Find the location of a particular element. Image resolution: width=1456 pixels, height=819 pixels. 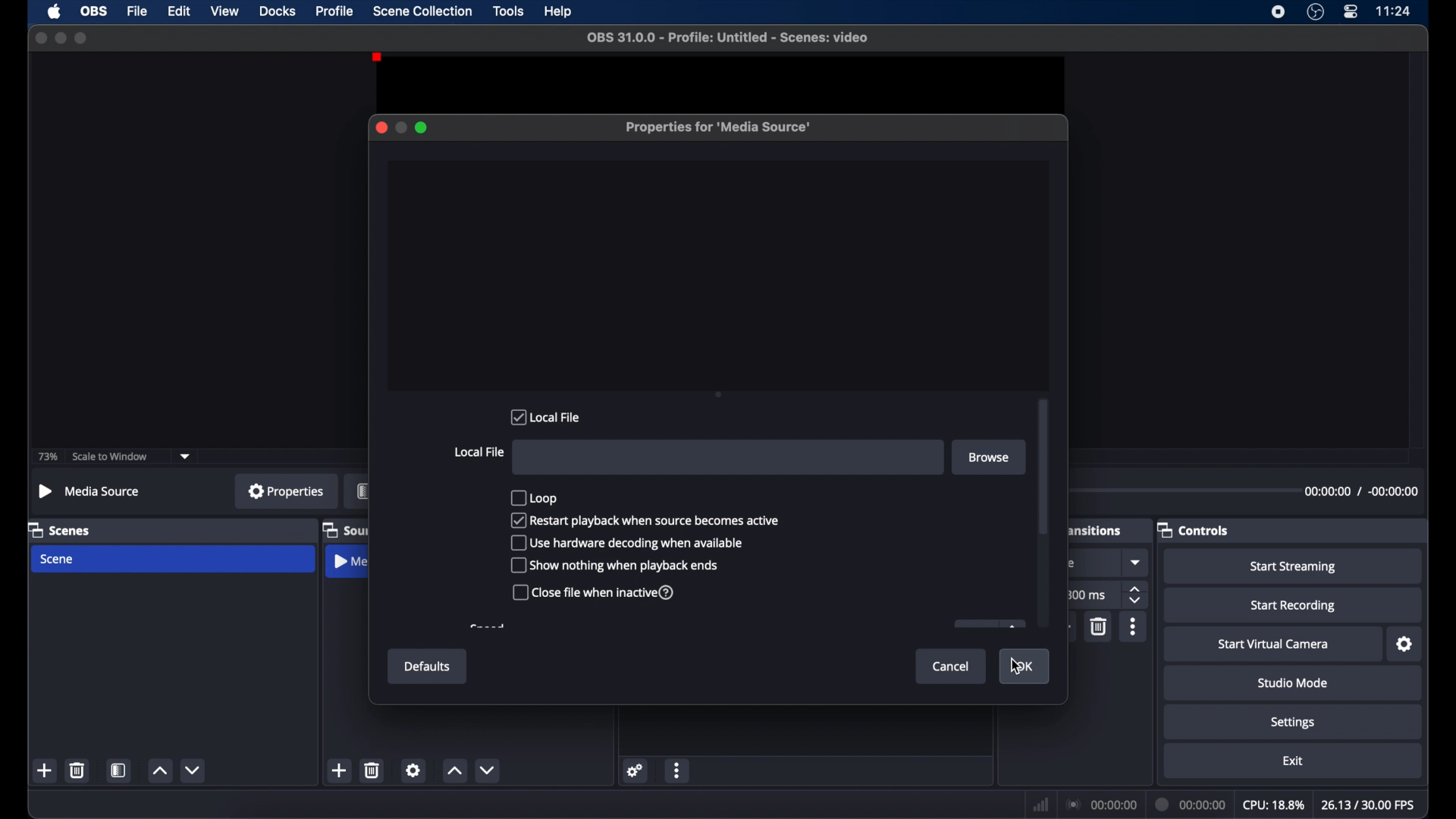

more options is located at coordinates (1134, 626).